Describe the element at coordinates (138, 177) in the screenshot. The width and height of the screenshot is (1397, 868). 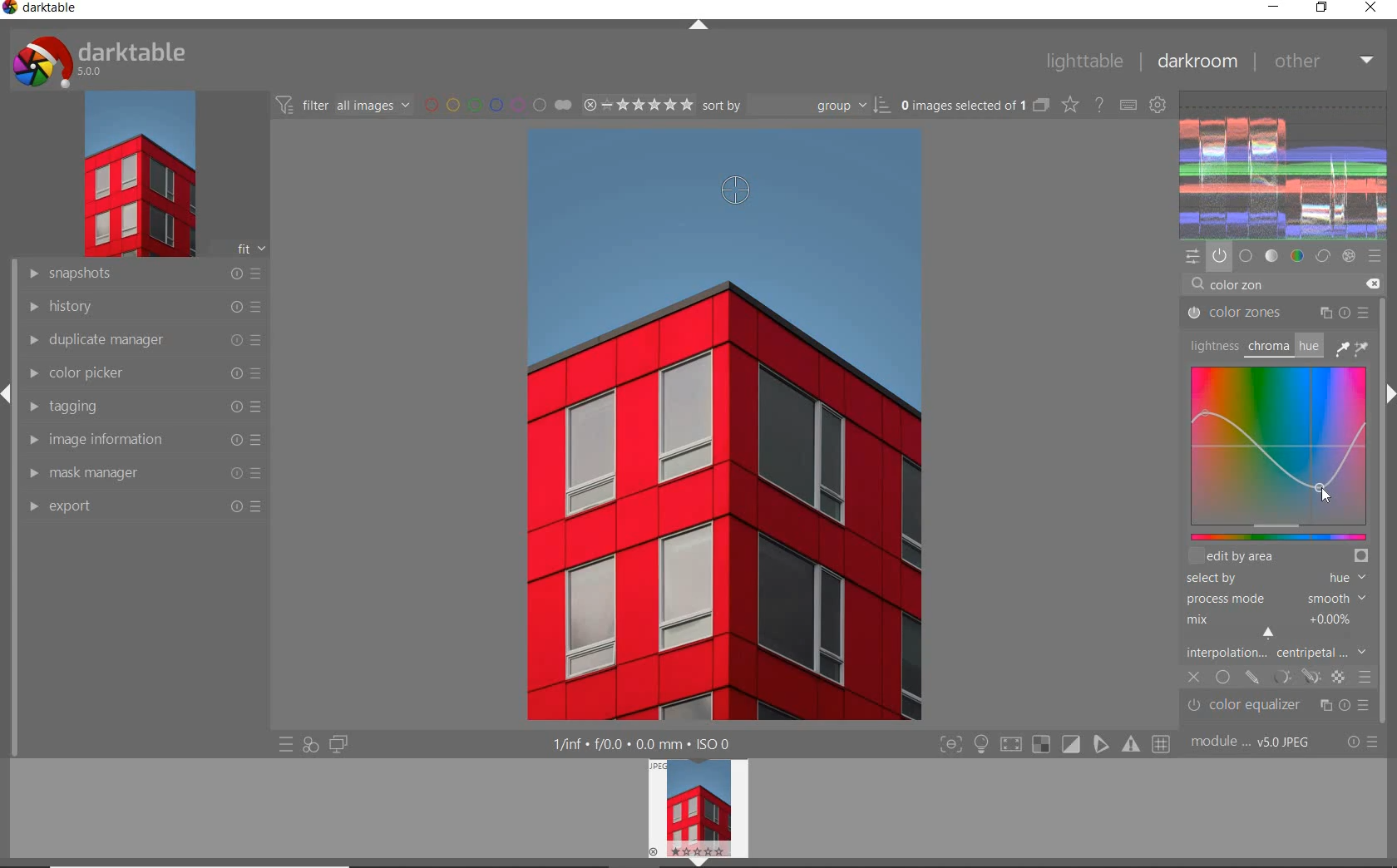
I see `image` at that location.